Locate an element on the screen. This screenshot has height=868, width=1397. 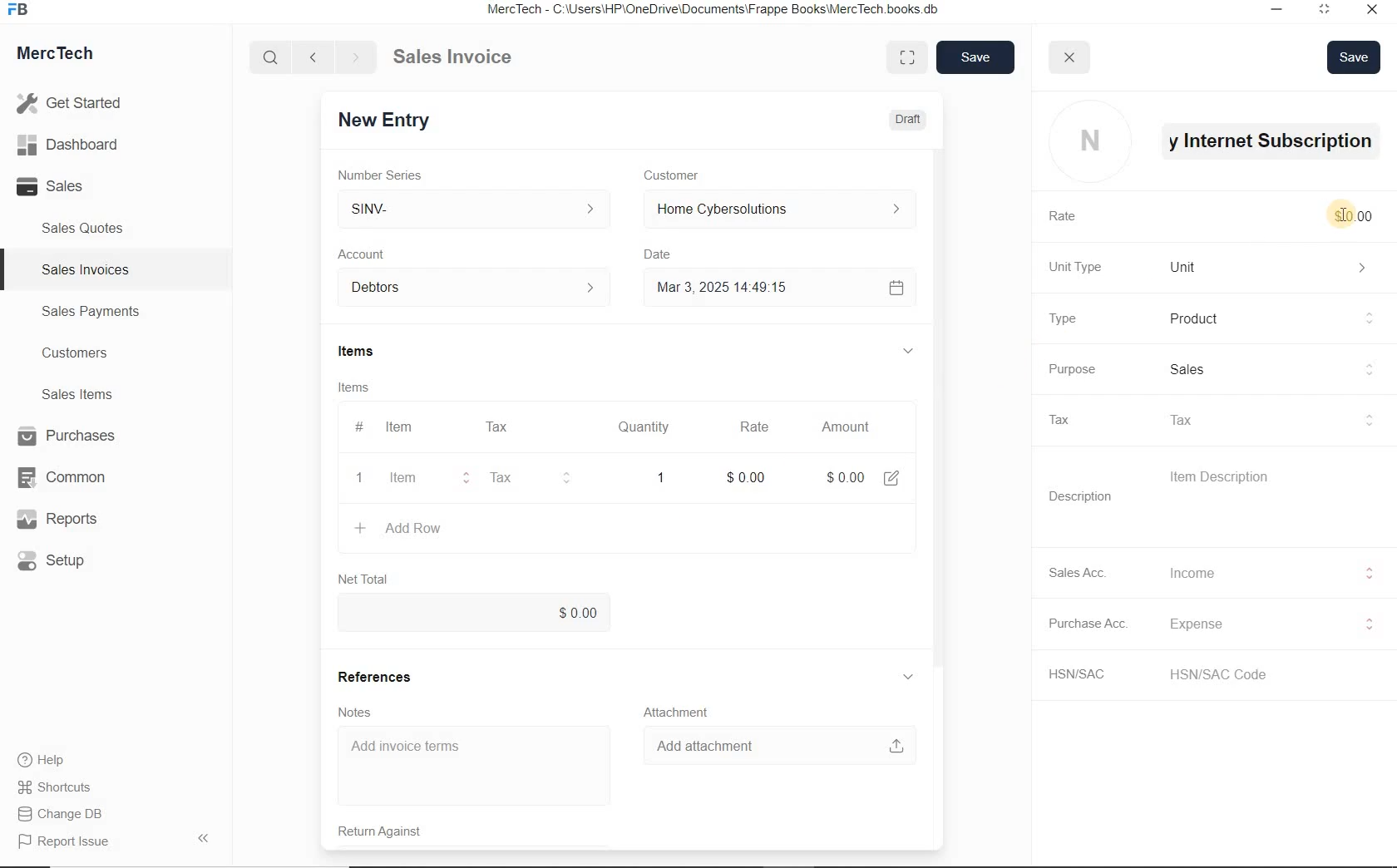
Setup is located at coordinates (70, 560).